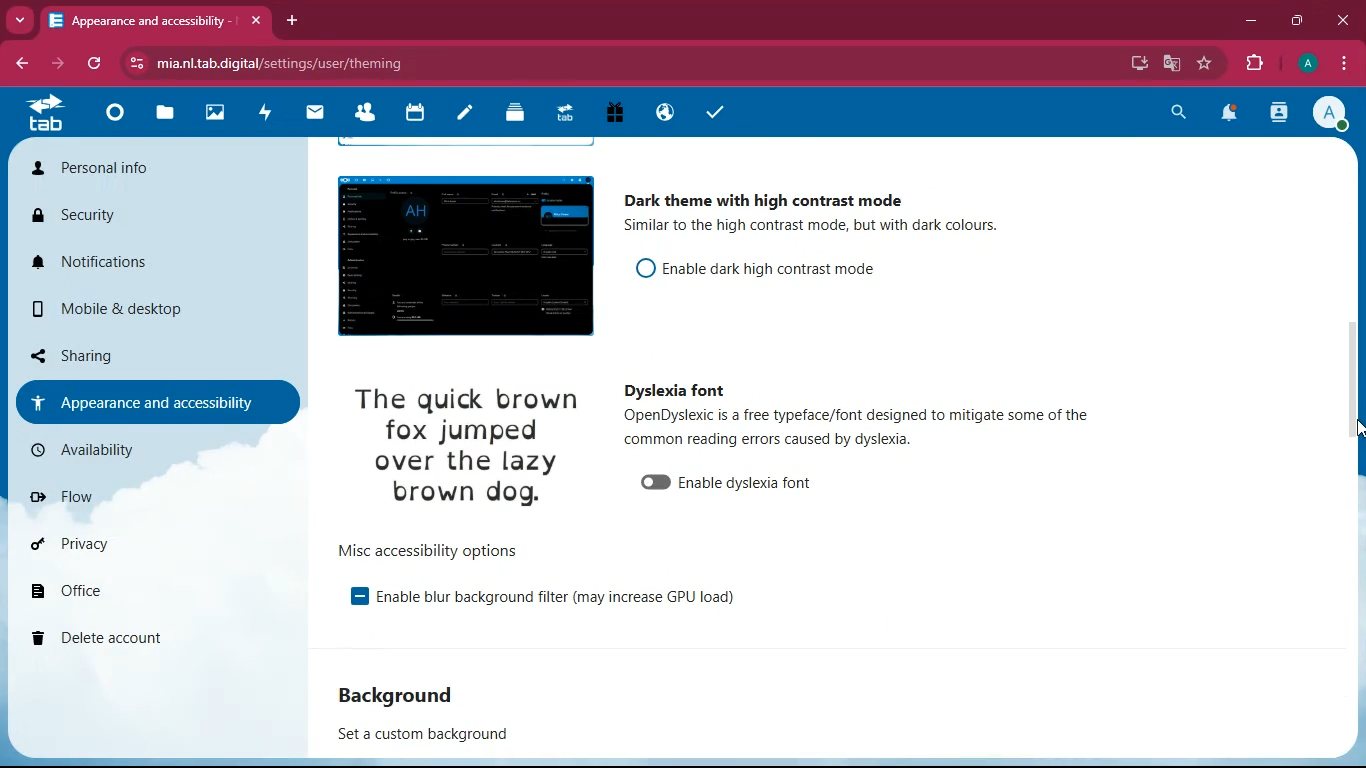  Describe the element at coordinates (401, 698) in the screenshot. I see `background` at that location.